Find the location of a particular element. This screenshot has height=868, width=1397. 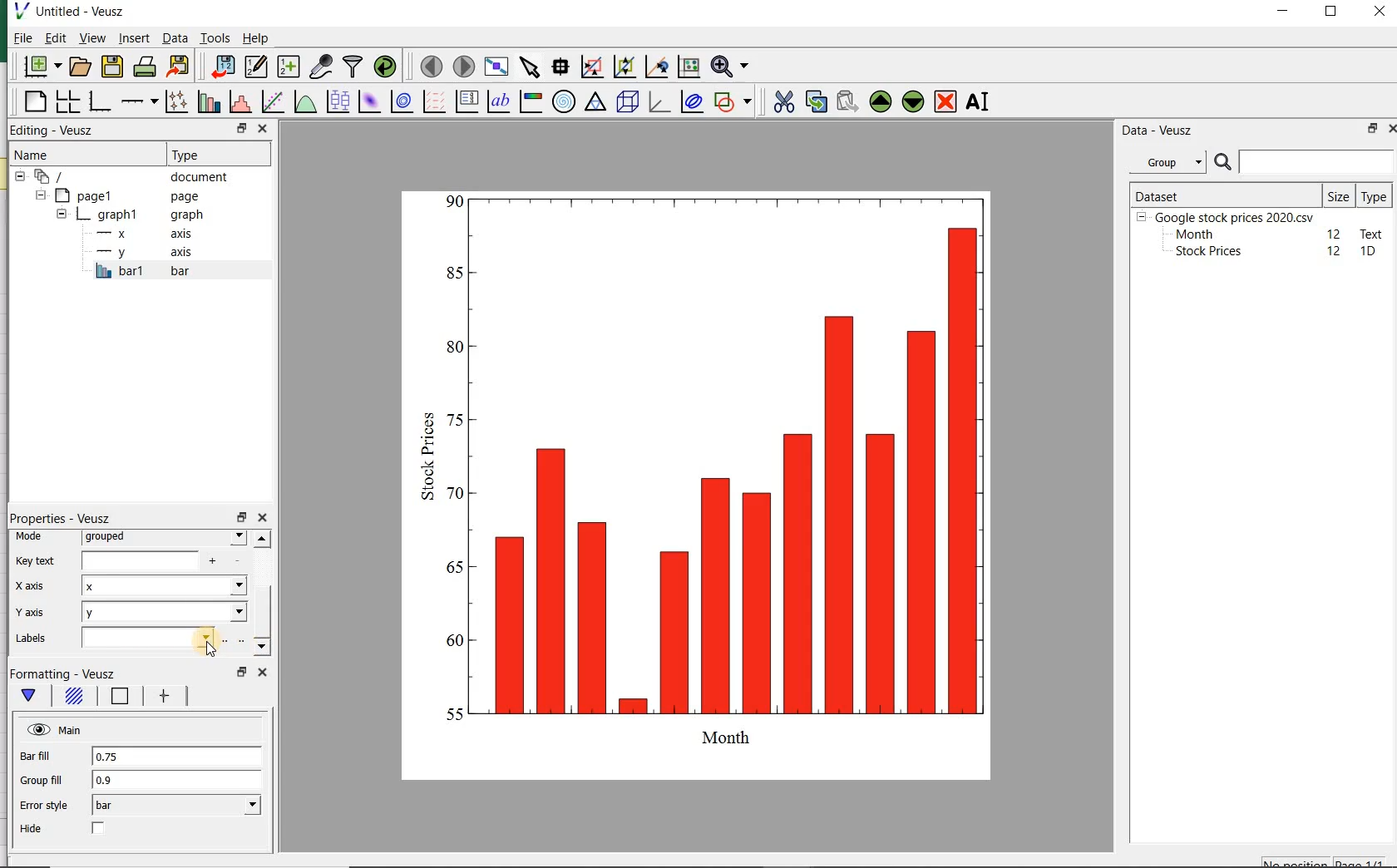

Tools is located at coordinates (215, 38).